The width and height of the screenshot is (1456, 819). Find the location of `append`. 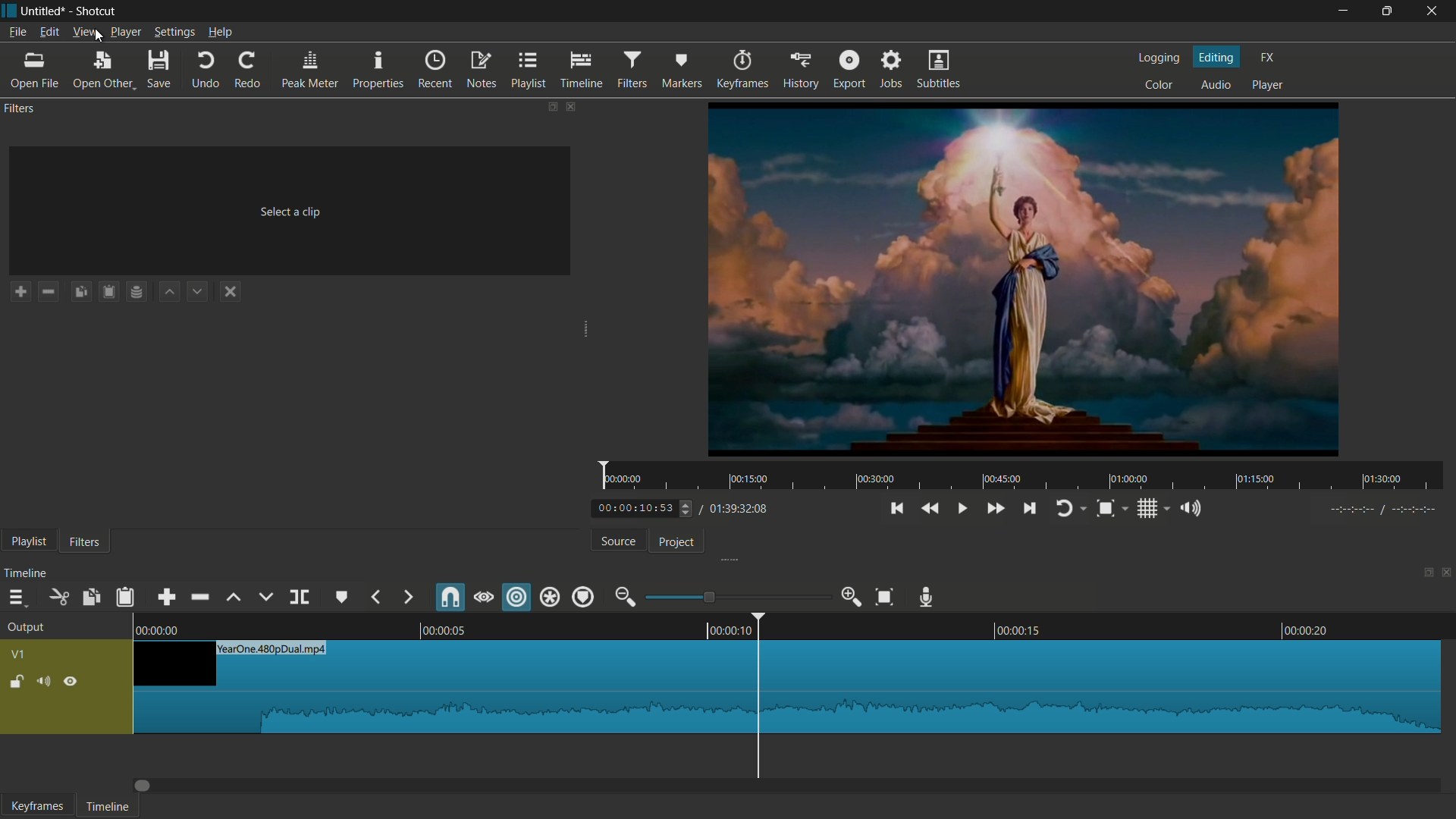

append is located at coordinates (165, 598).